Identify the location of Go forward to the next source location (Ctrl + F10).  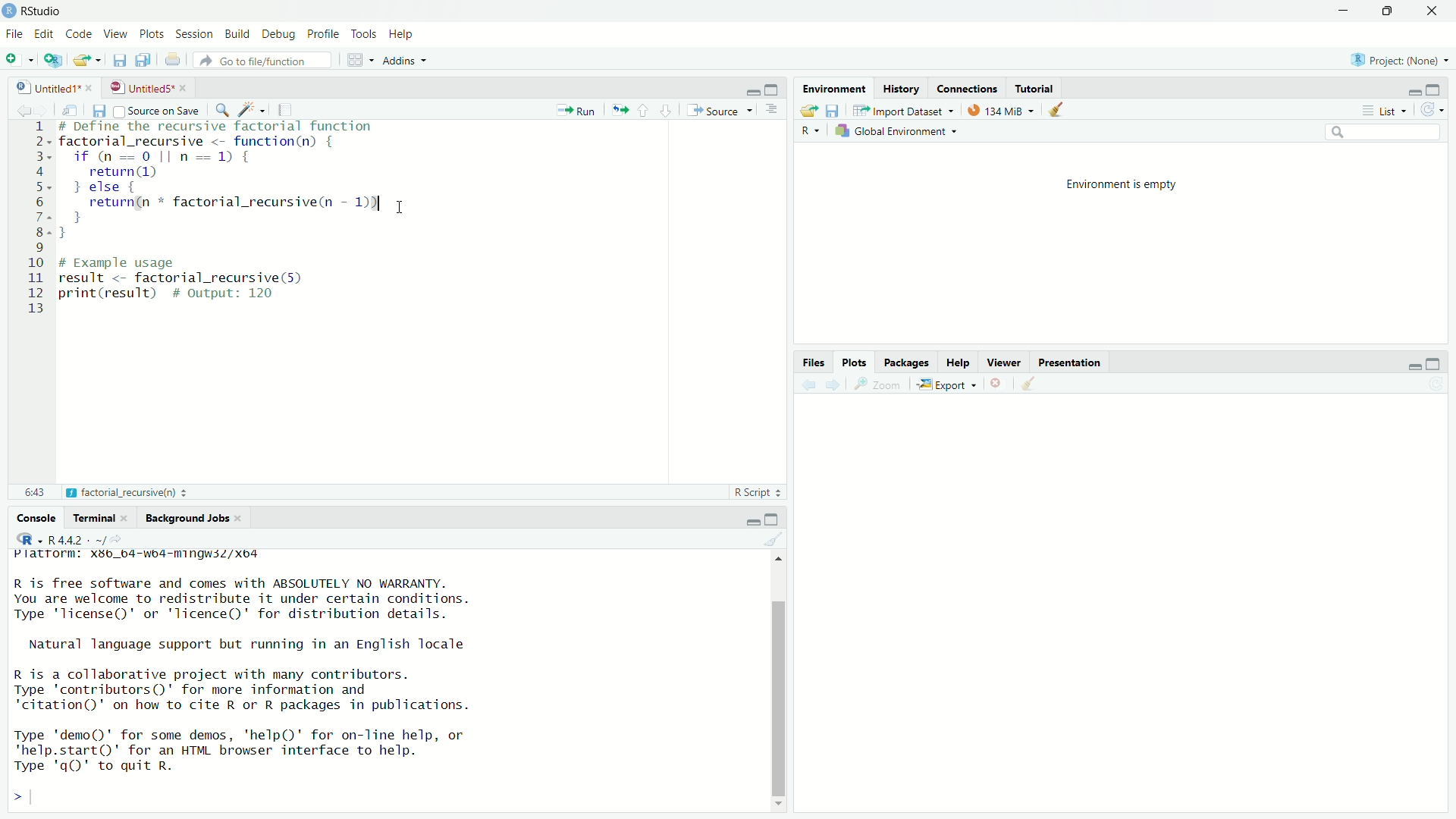
(47, 109).